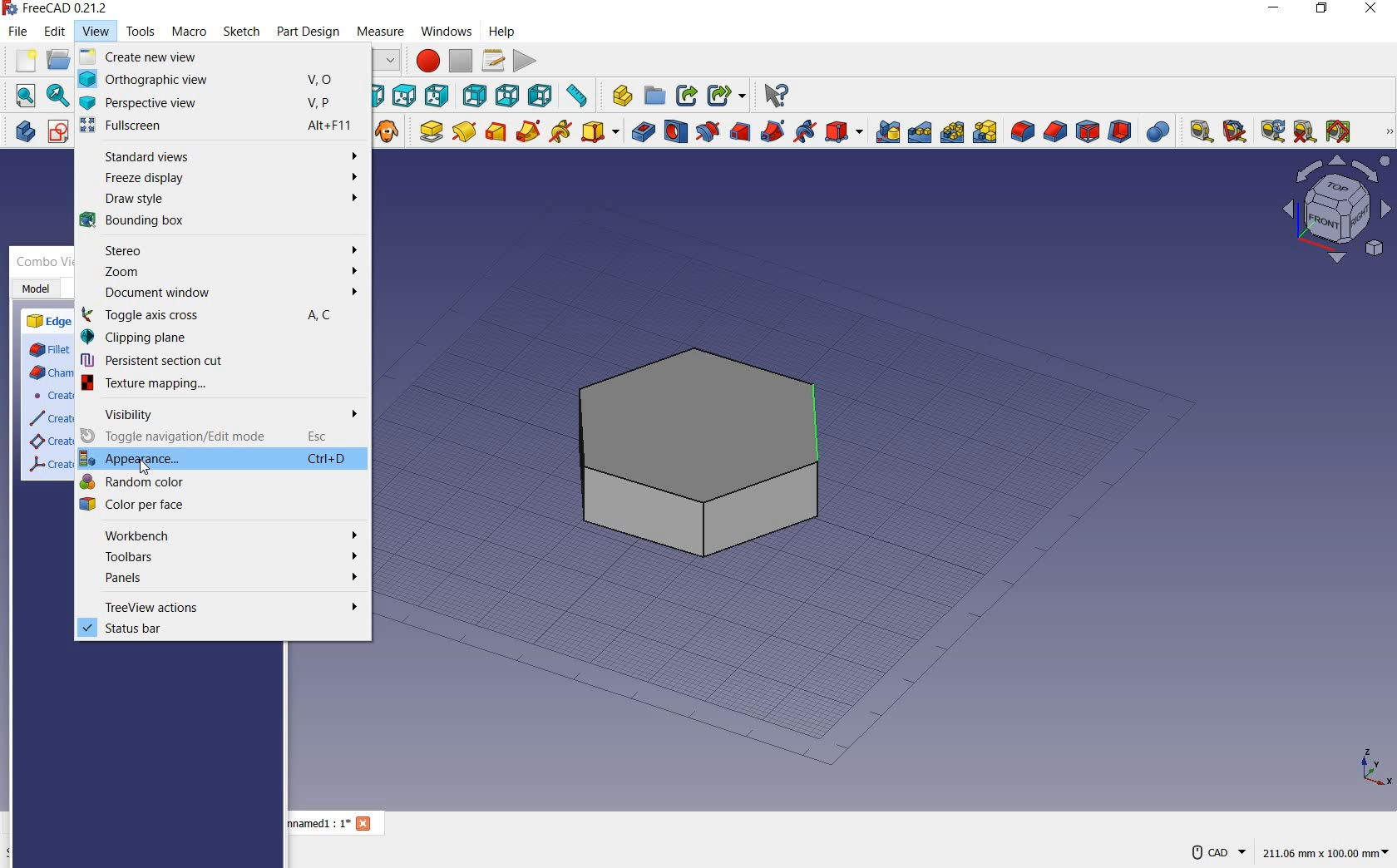 This screenshot has height=868, width=1397. What do you see at coordinates (308, 32) in the screenshot?
I see `part design` at bounding box center [308, 32].